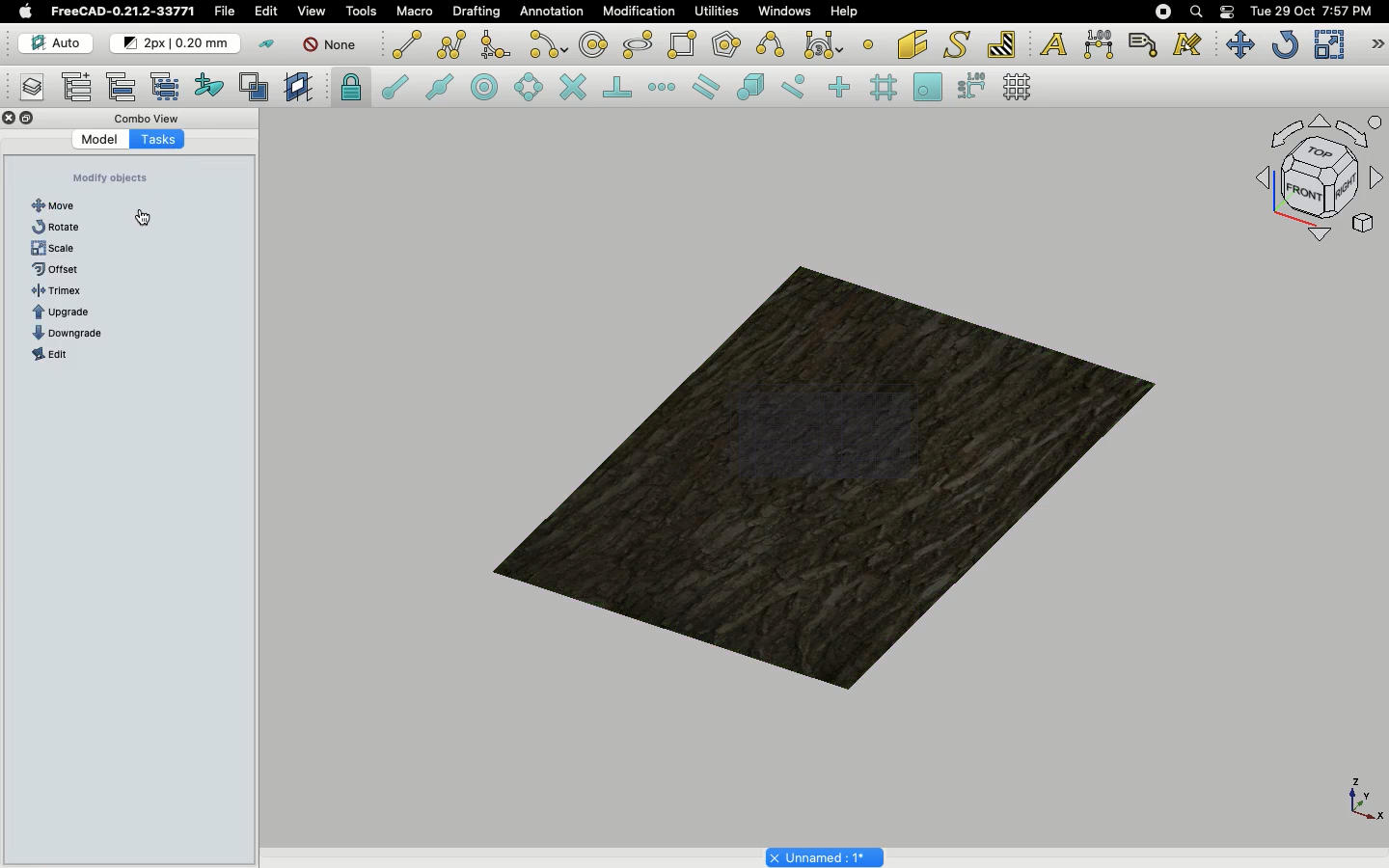 The width and height of the screenshot is (1389, 868). I want to click on Fillet, so click(494, 47).